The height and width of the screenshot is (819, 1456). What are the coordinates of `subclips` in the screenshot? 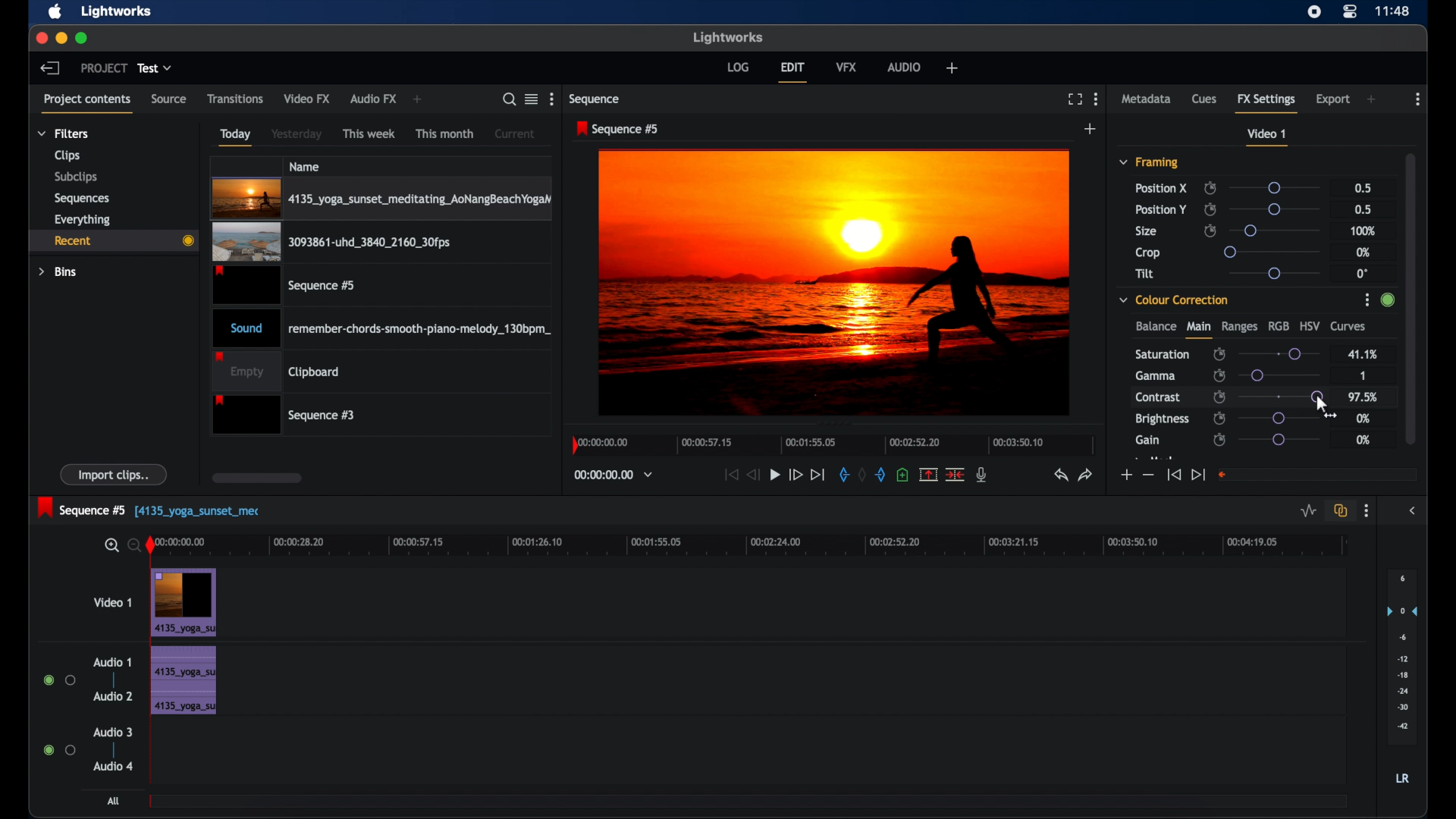 It's located at (74, 178).